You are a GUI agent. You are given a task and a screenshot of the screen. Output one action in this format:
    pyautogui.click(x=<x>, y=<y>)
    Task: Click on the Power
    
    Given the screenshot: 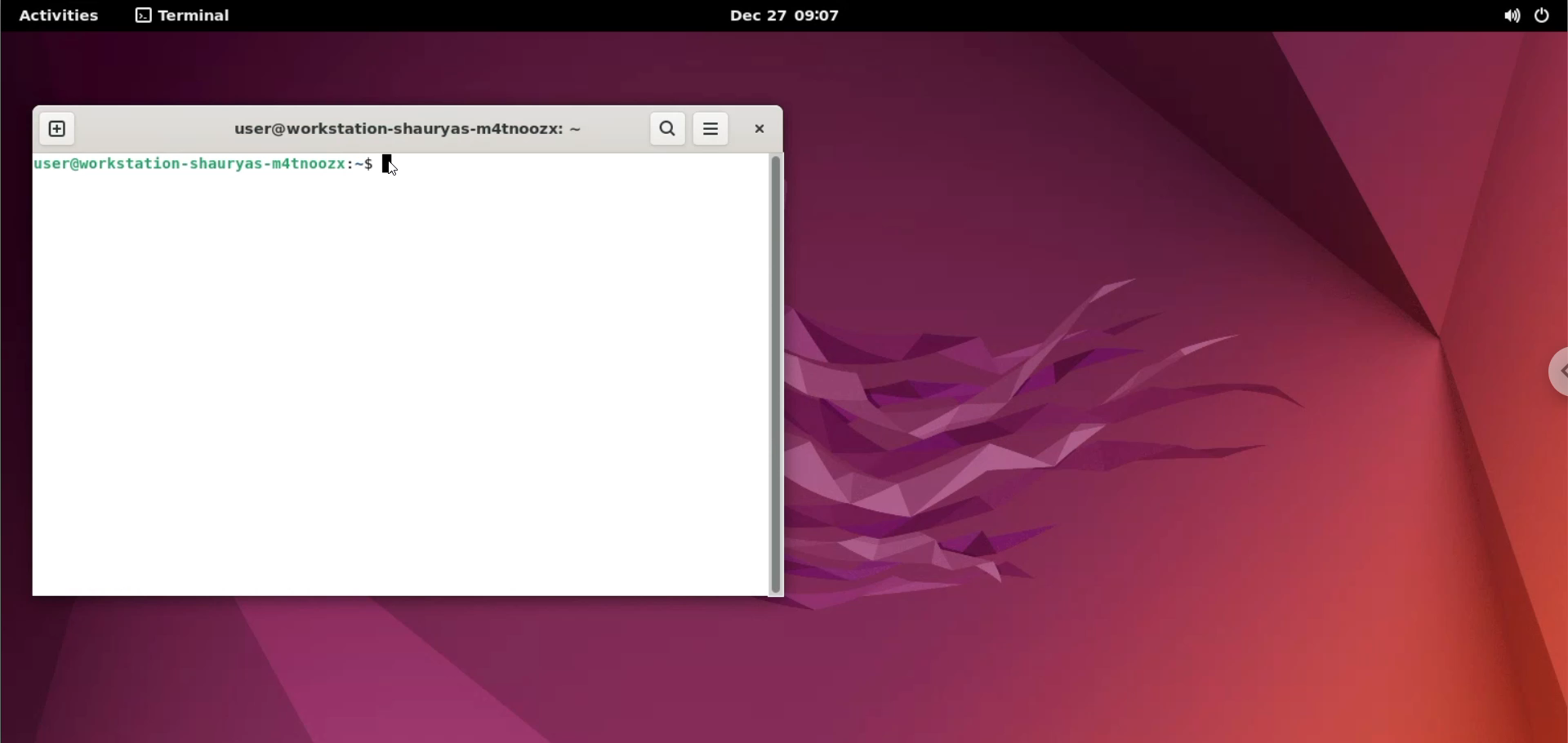 What is the action you would take?
    pyautogui.click(x=1544, y=17)
    